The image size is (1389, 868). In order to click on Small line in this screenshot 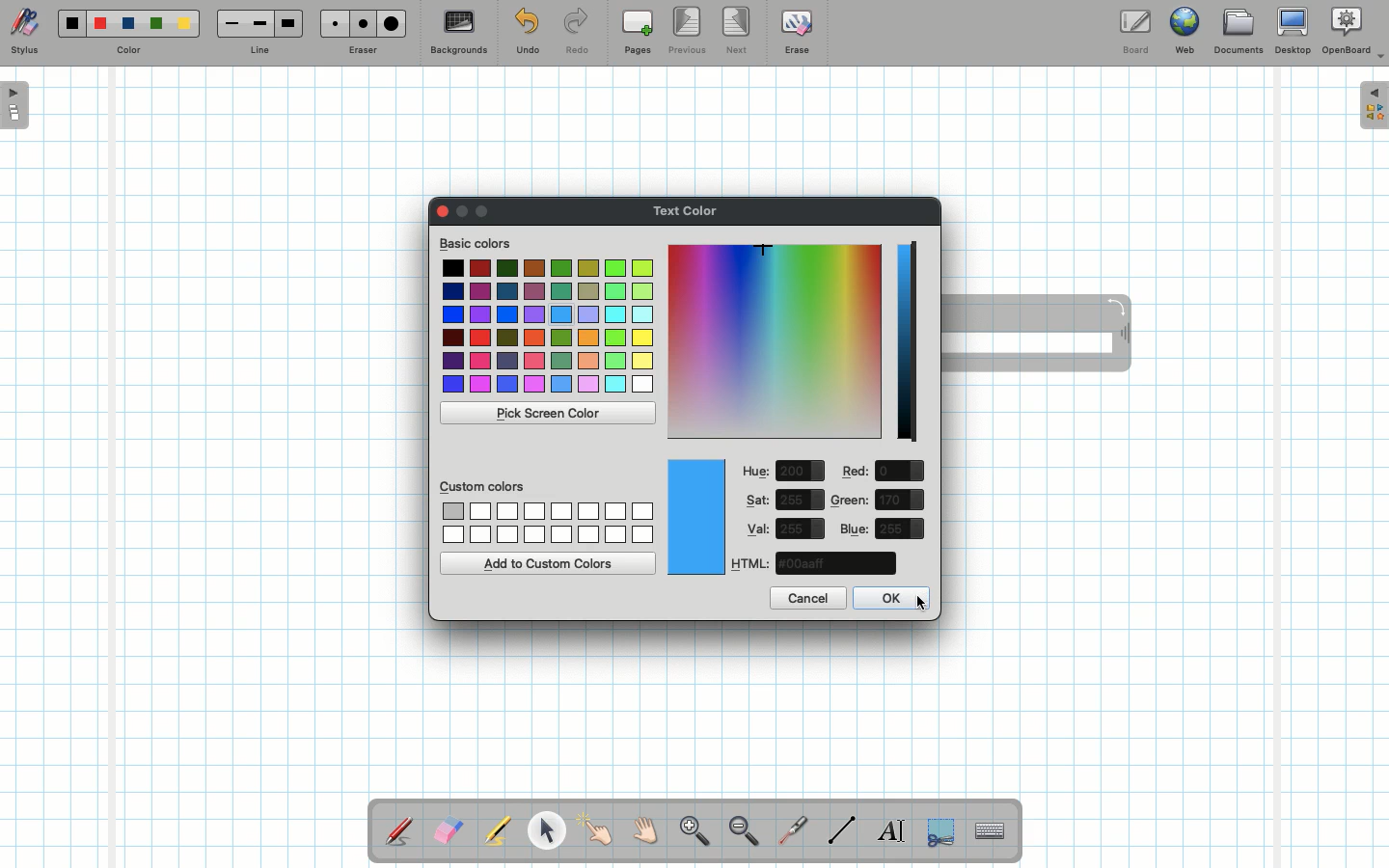, I will do `click(229, 24)`.